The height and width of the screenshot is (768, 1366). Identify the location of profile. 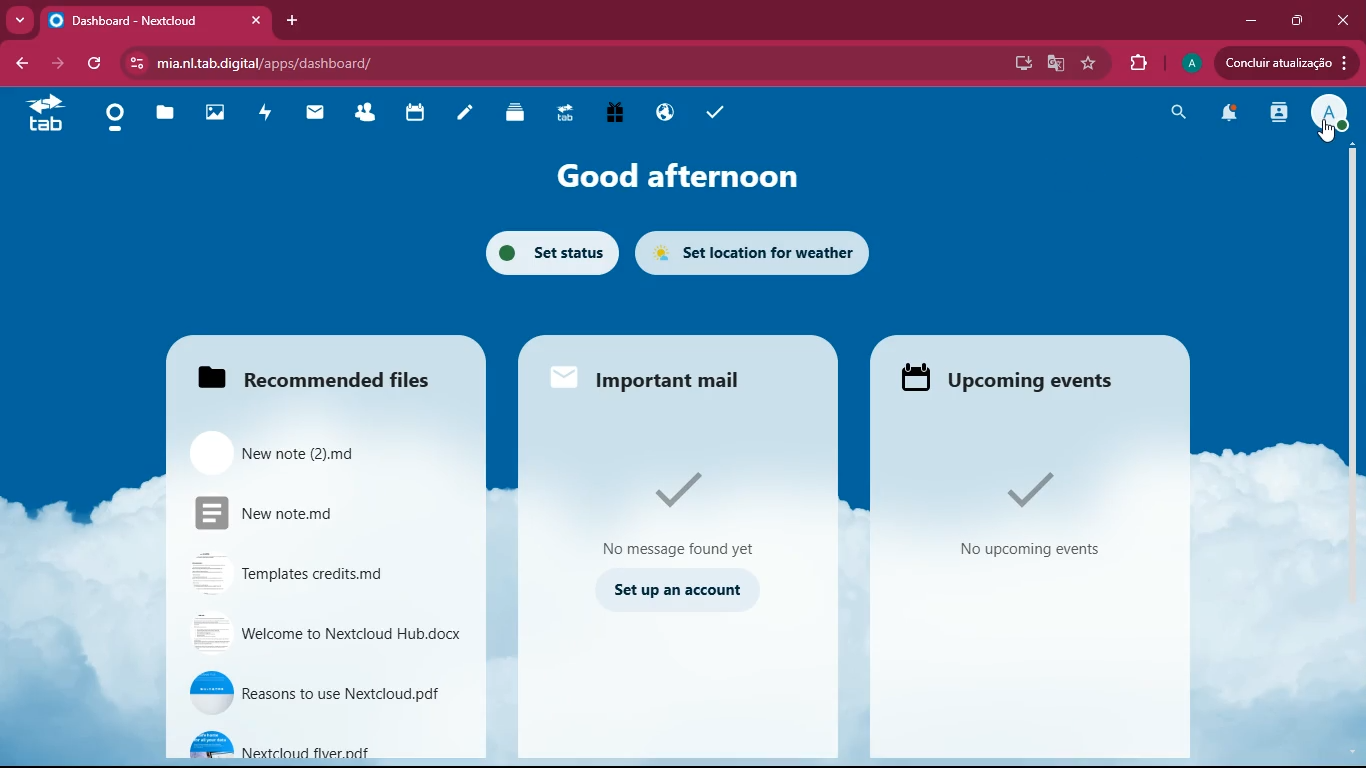
(1329, 114).